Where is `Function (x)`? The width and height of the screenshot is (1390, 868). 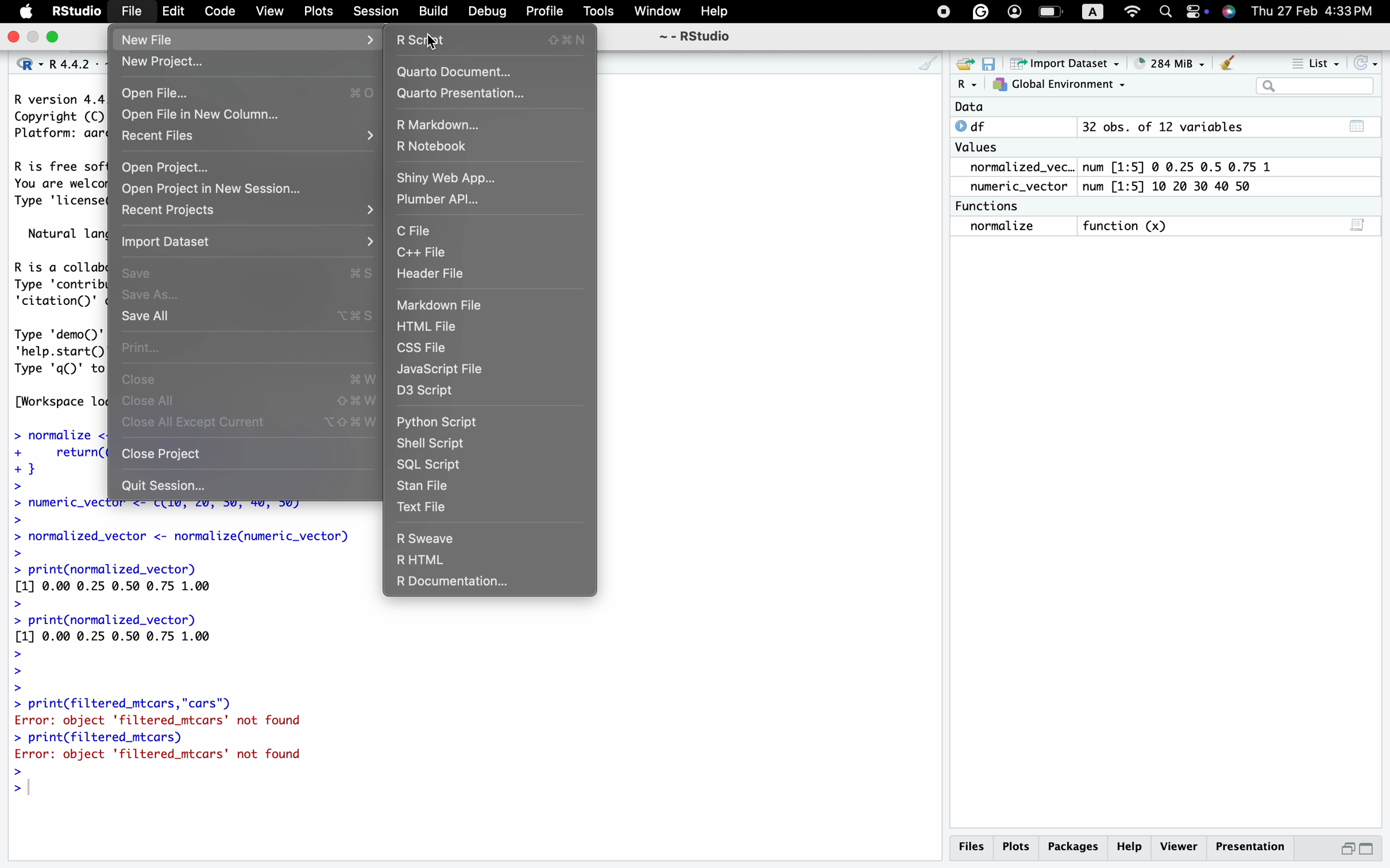
Function (x) is located at coordinates (1126, 226).